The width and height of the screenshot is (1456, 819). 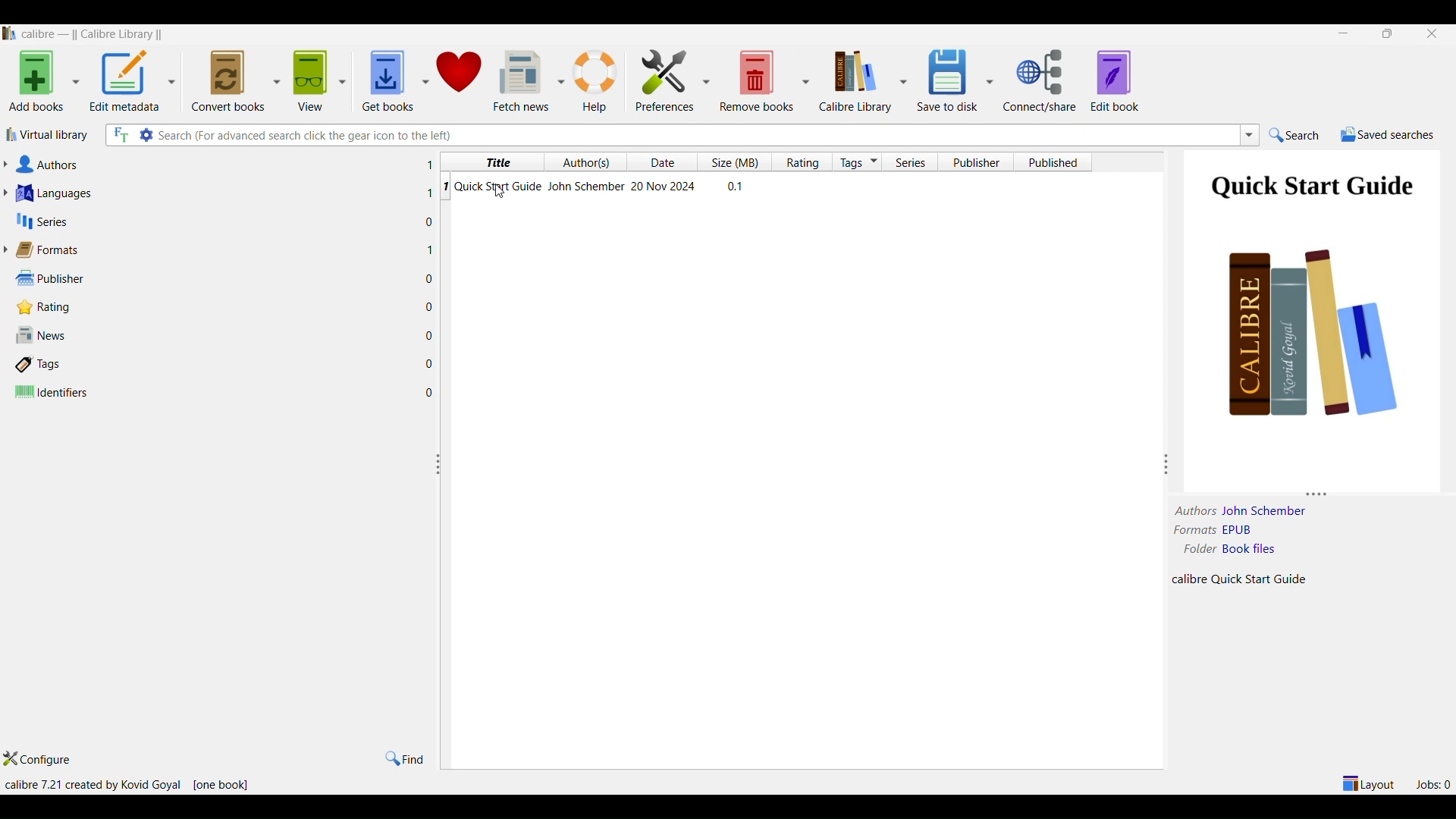 What do you see at coordinates (945, 81) in the screenshot?
I see `save to disk` at bounding box center [945, 81].